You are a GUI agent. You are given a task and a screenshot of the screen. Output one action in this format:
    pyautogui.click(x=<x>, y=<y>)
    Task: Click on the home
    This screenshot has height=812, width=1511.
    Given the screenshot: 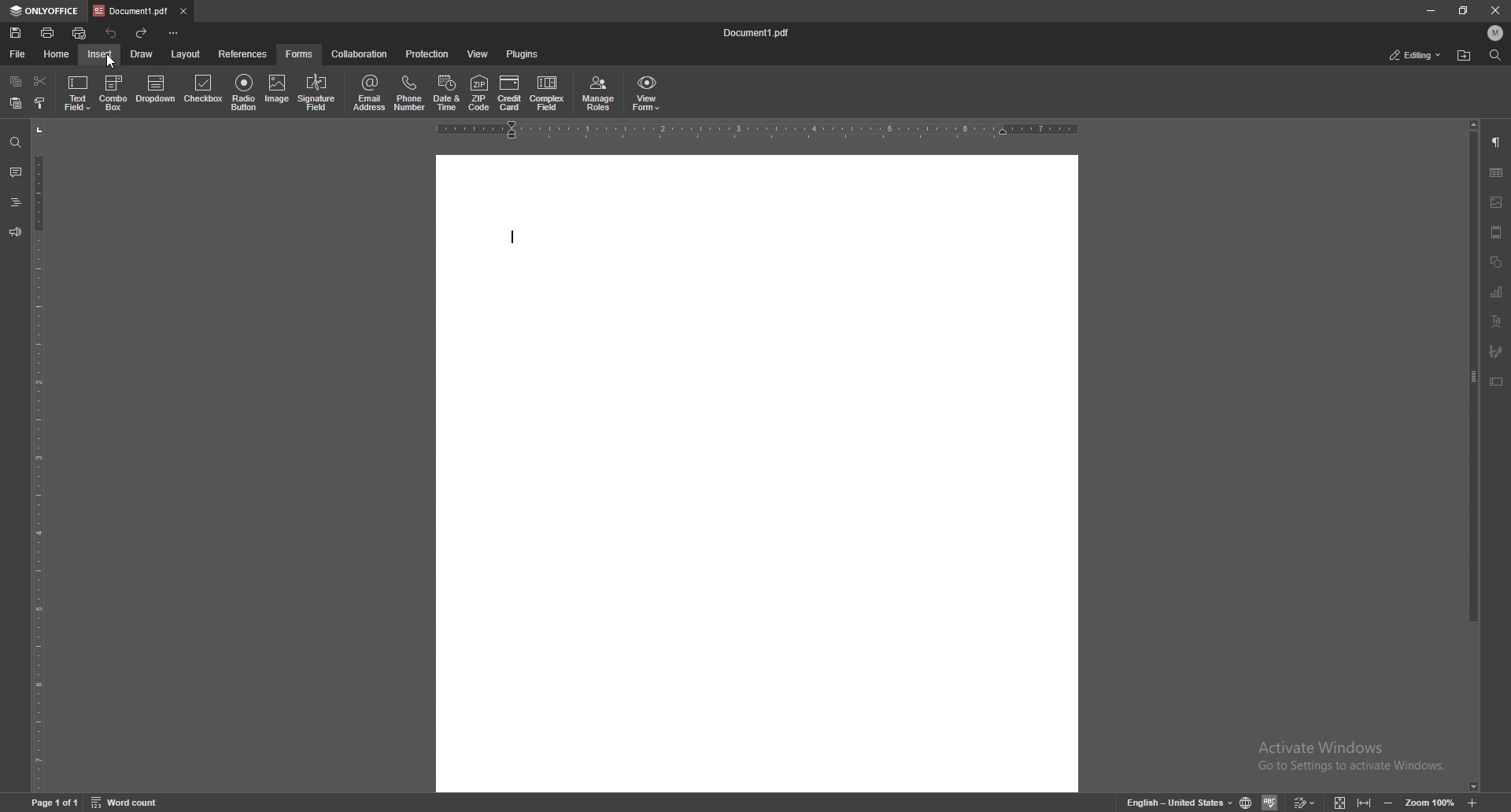 What is the action you would take?
    pyautogui.click(x=57, y=54)
    